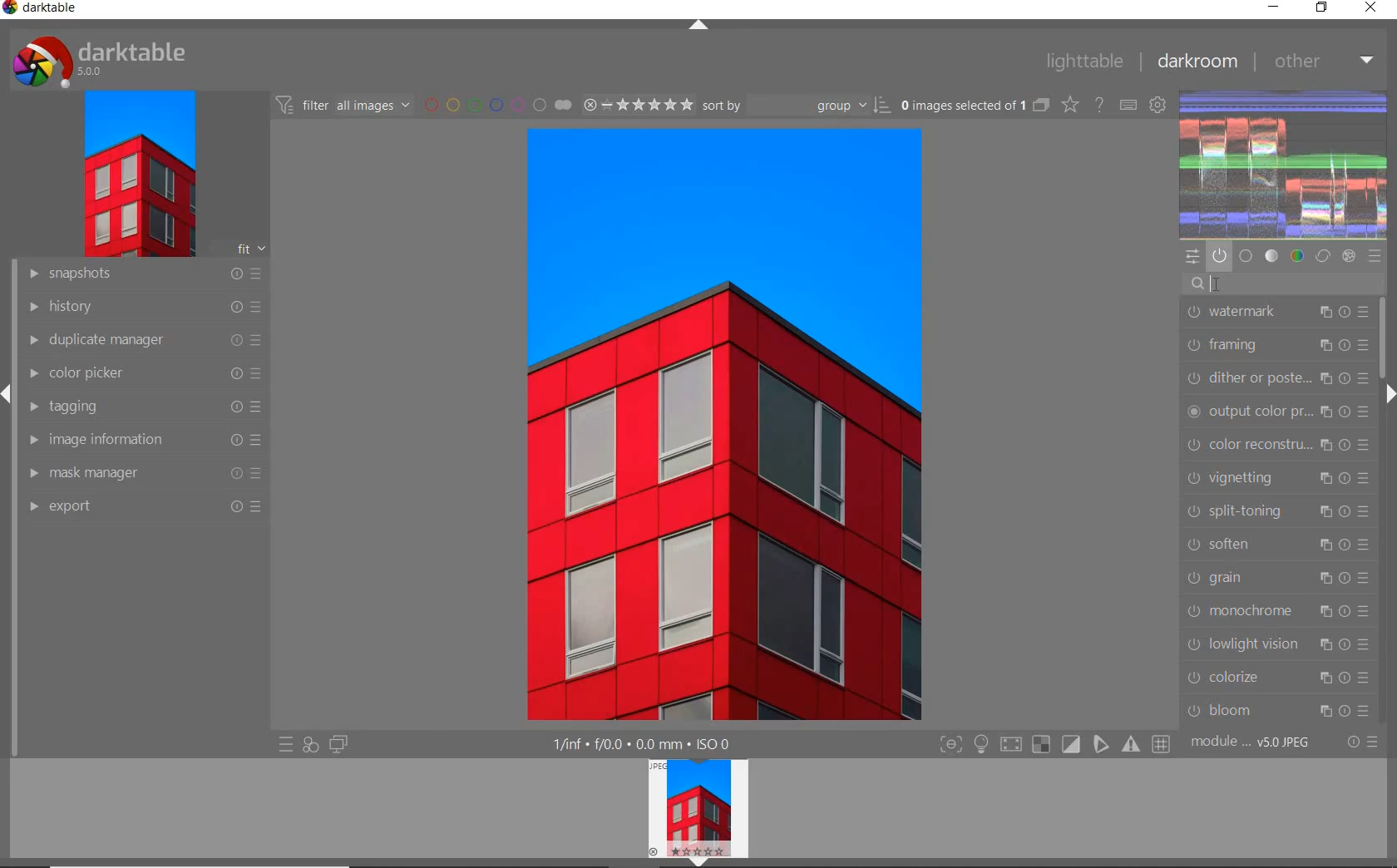 The height and width of the screenshot is (868, 1397). I want to click on expand/collapse, so click(8, 394).